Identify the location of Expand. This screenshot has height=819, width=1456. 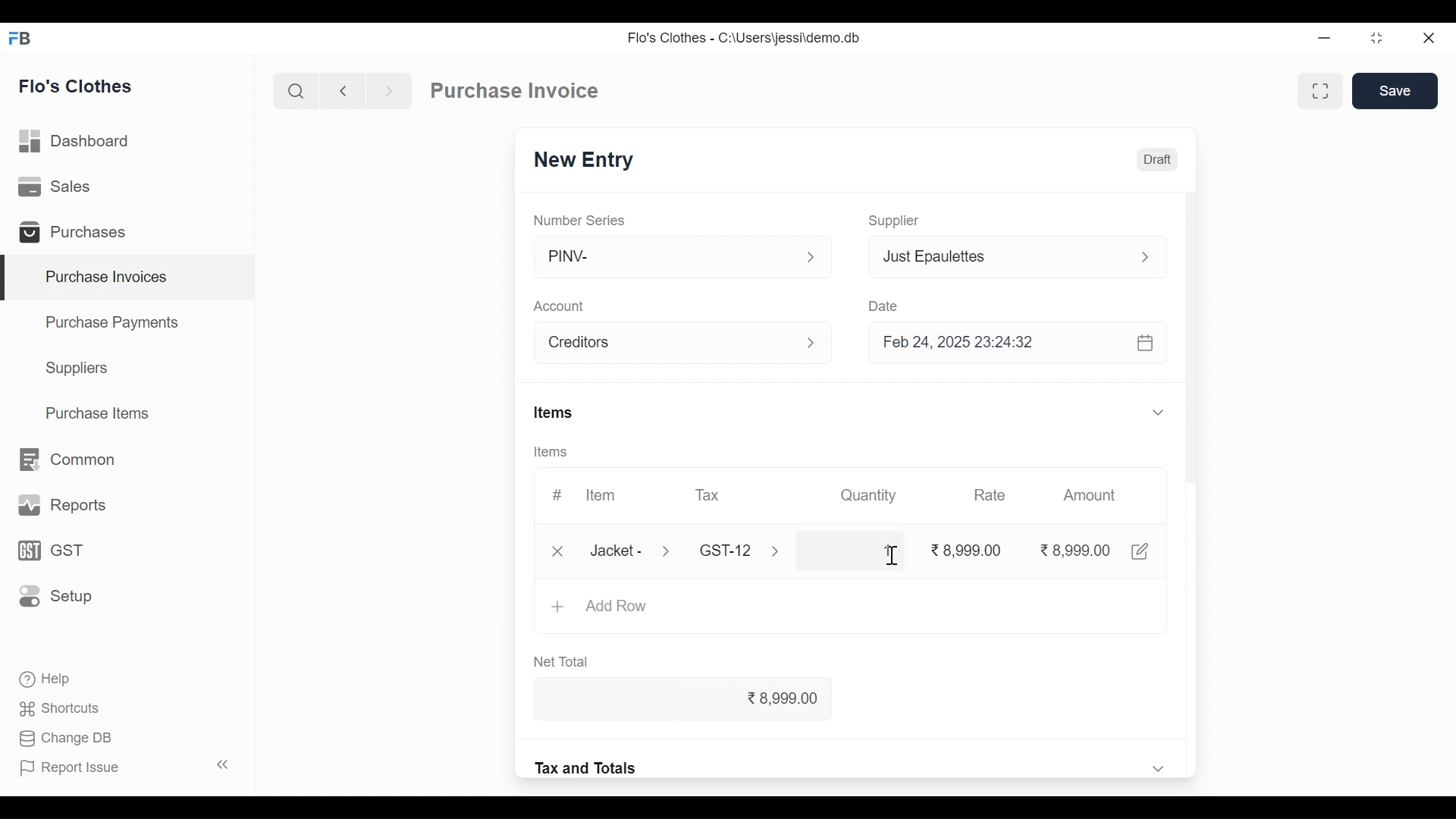
(670, 551).